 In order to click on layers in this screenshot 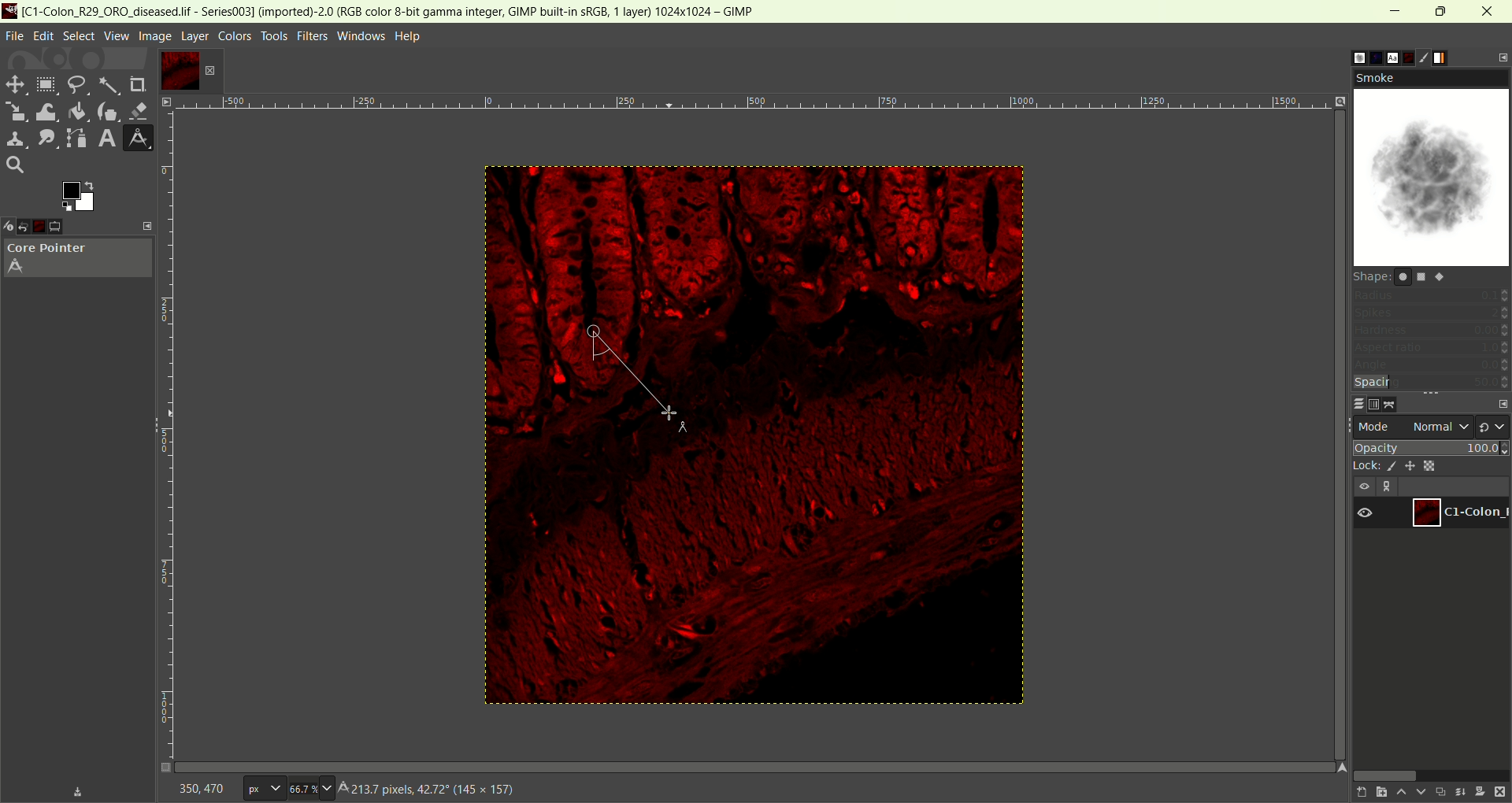, I will do `click(1352, 403)`.